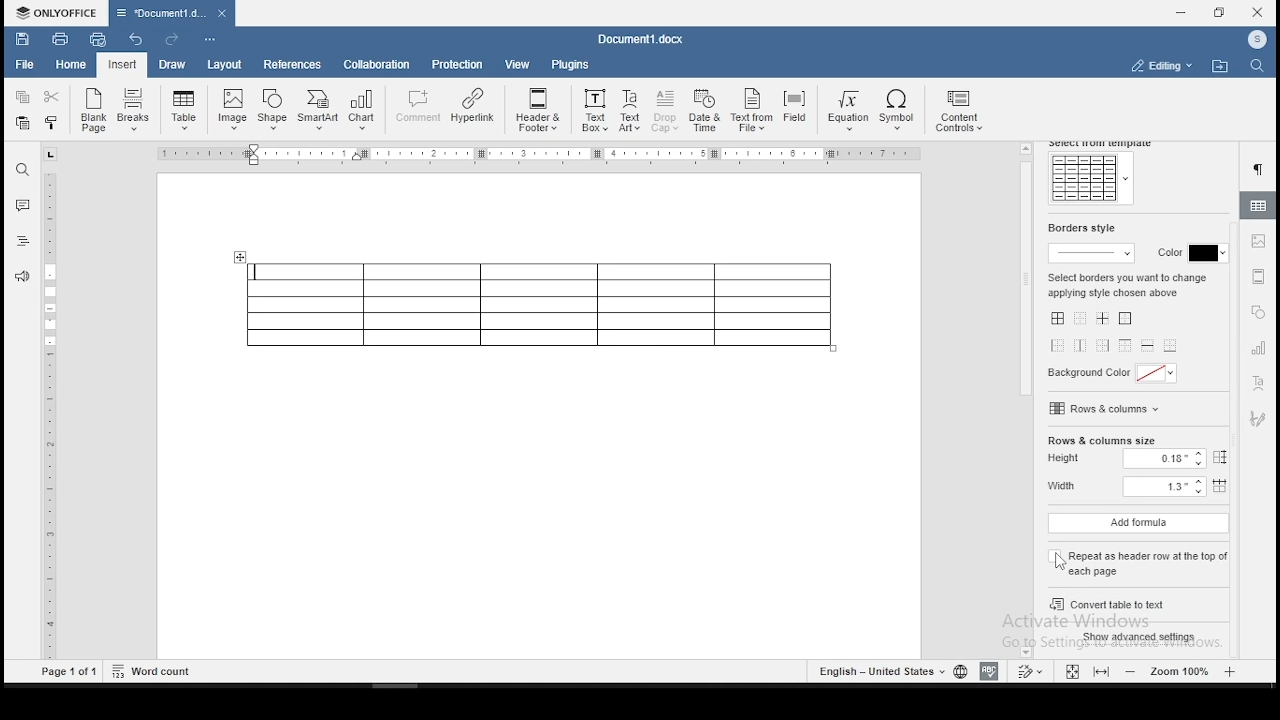  Describe the element at coordinates (1128, 283) in the screenshot. I see `selected borders you want to change applying style chosen above` at that location.